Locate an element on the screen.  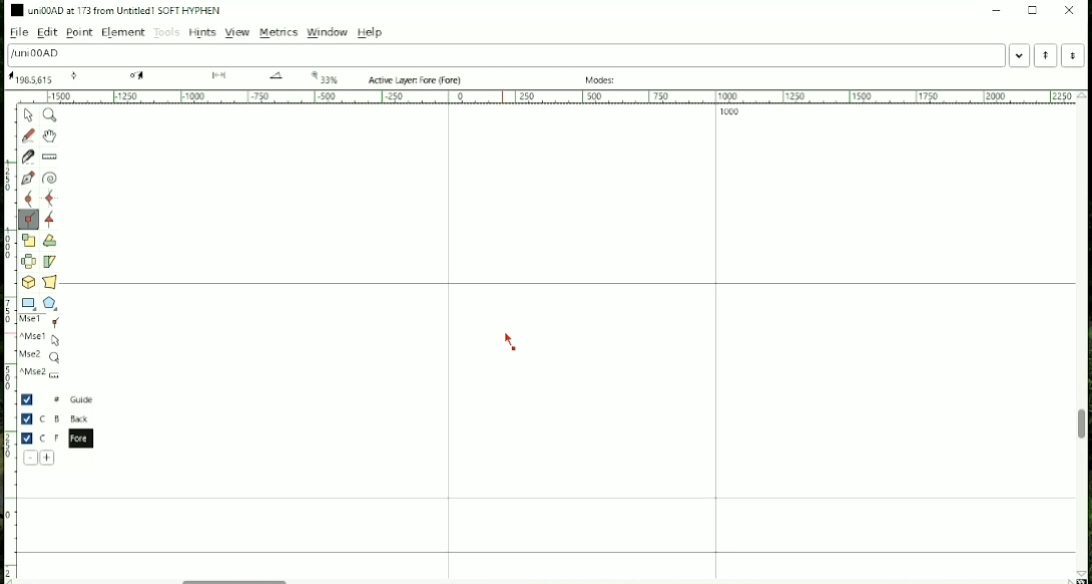
Add a curve point always either horizontal or vertical is located at coordinates (51, 198).